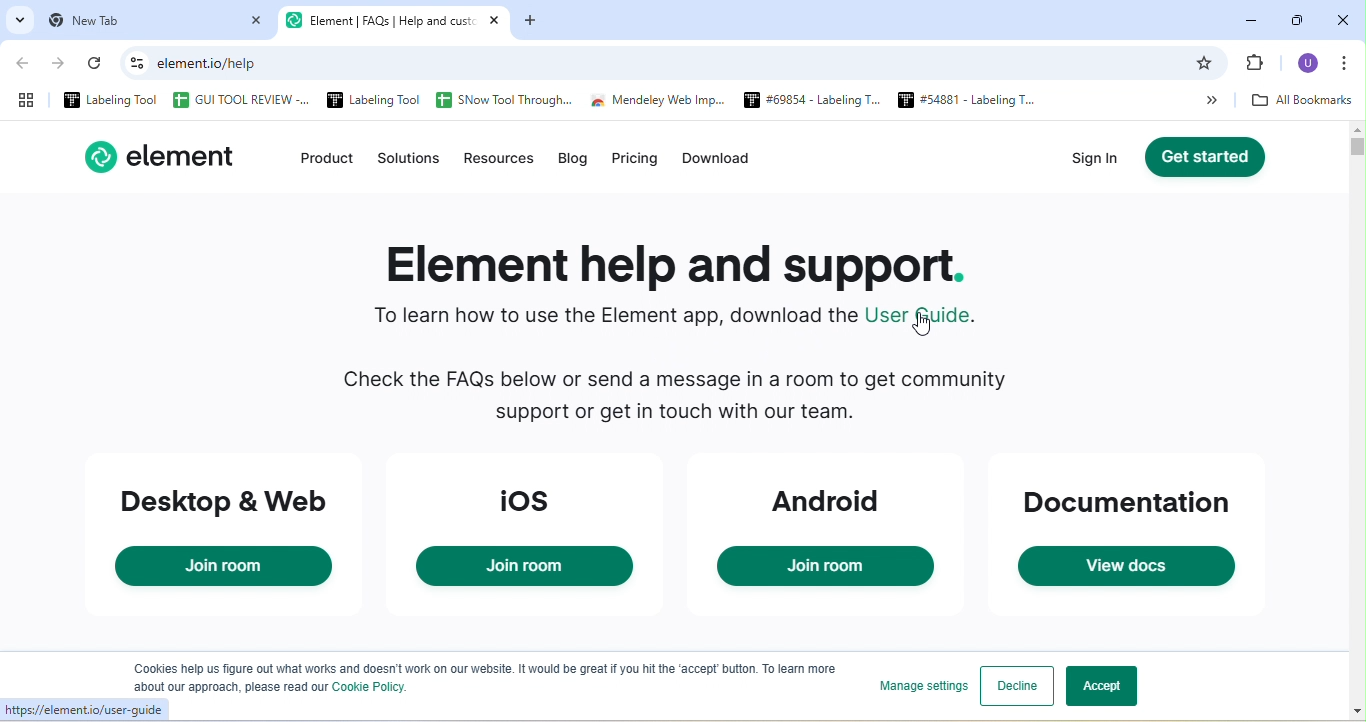  I want to click on sign in, so click(1095, 164).